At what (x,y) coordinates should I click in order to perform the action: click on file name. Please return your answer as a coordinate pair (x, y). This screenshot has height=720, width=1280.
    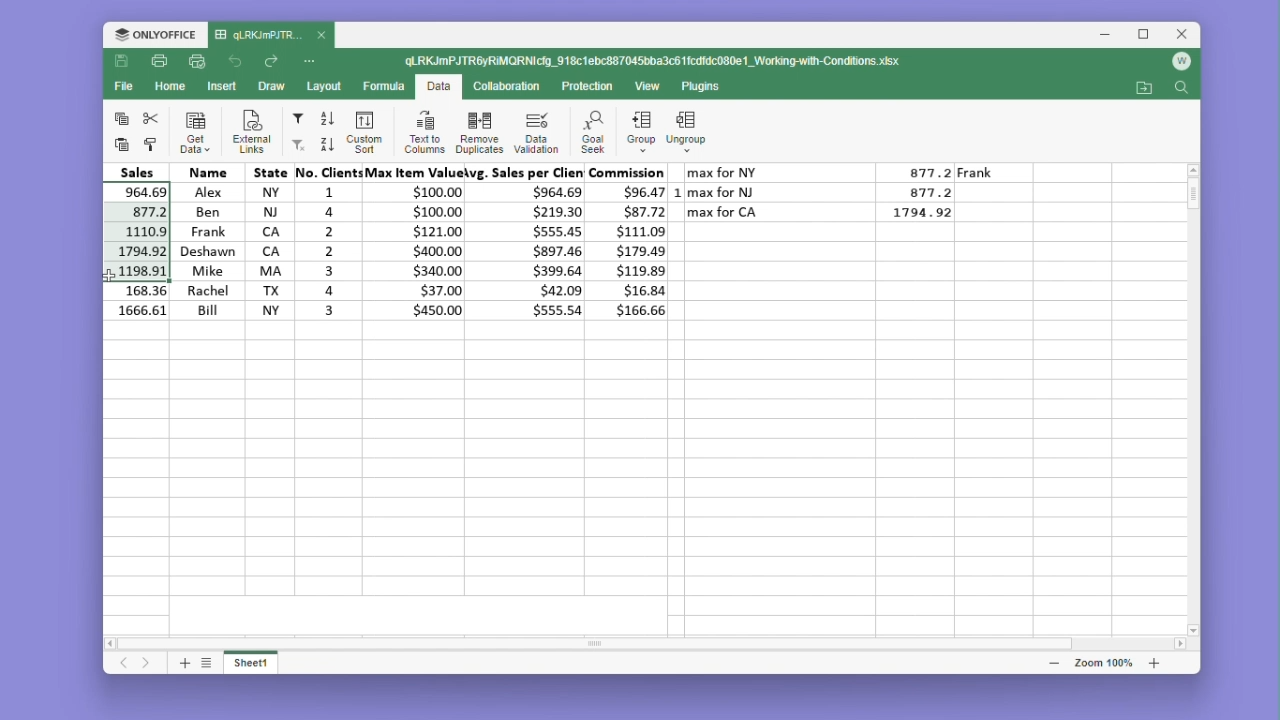
    Looking at the image, I should click on (271, 36).